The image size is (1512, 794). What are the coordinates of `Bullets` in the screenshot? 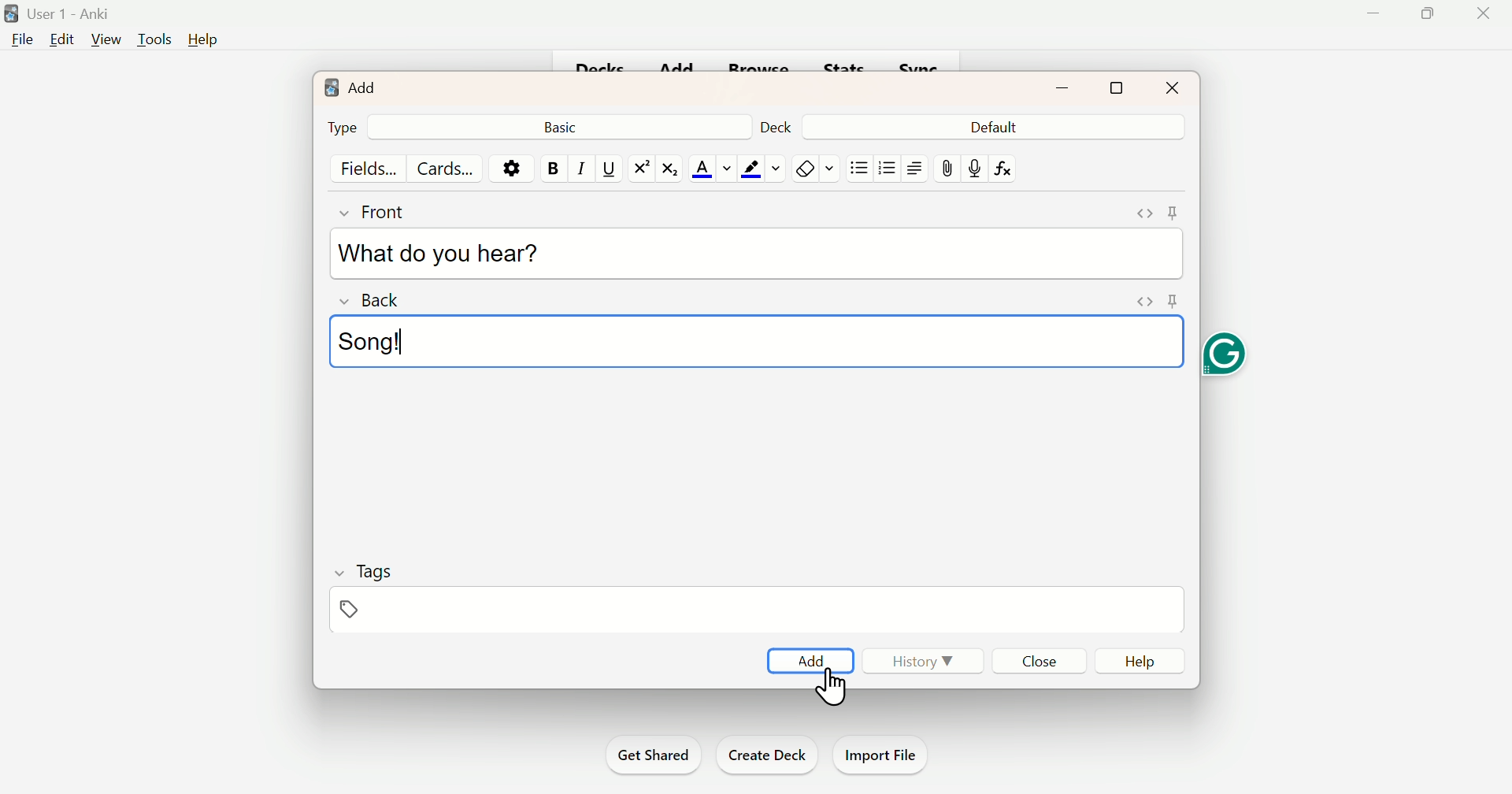 It's located at (861, 167).